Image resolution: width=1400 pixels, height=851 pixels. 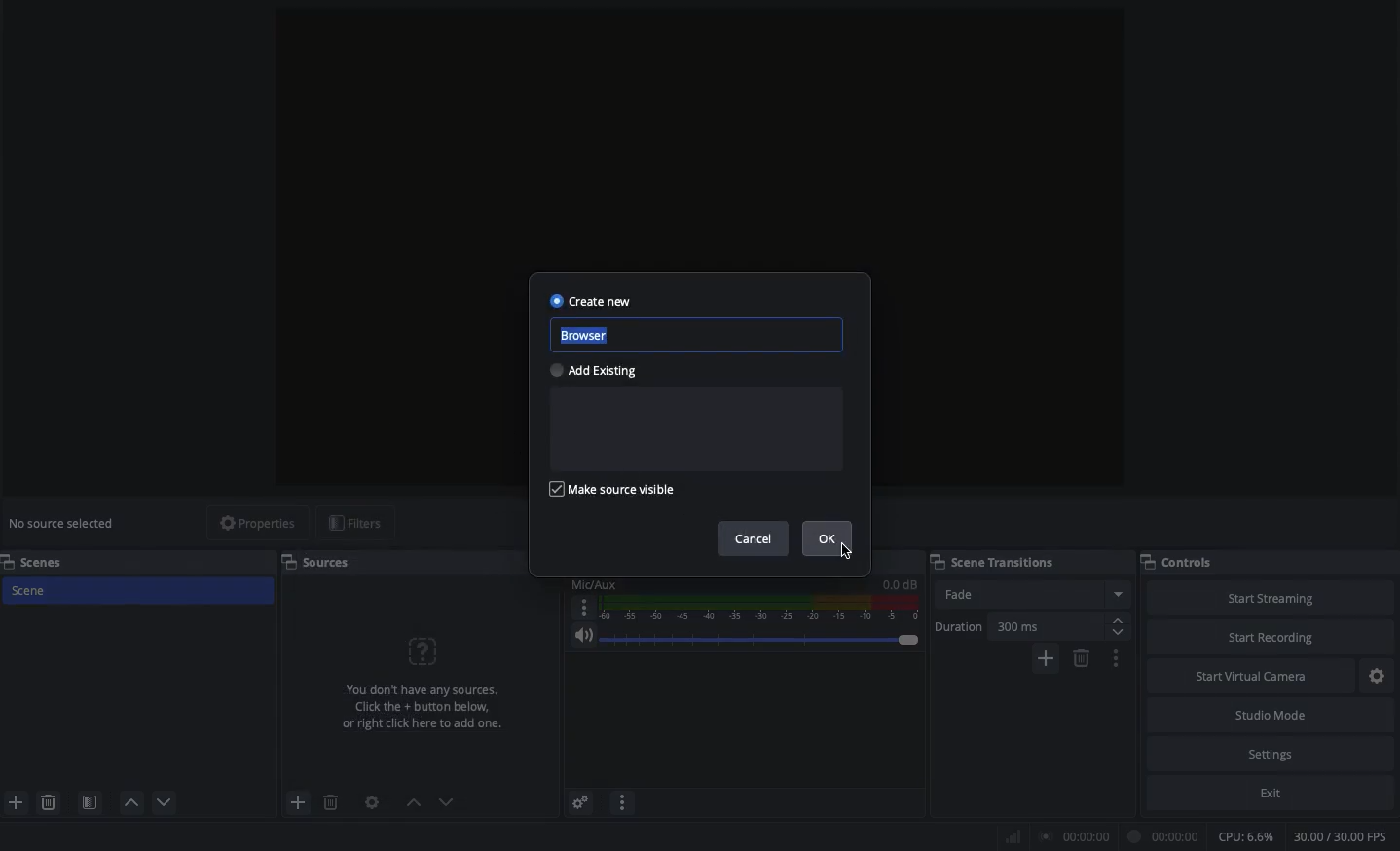 What do you see at coordinates (1010, 837) in the screenshot?
I see `Bars` at bounding box center [1010, 837].